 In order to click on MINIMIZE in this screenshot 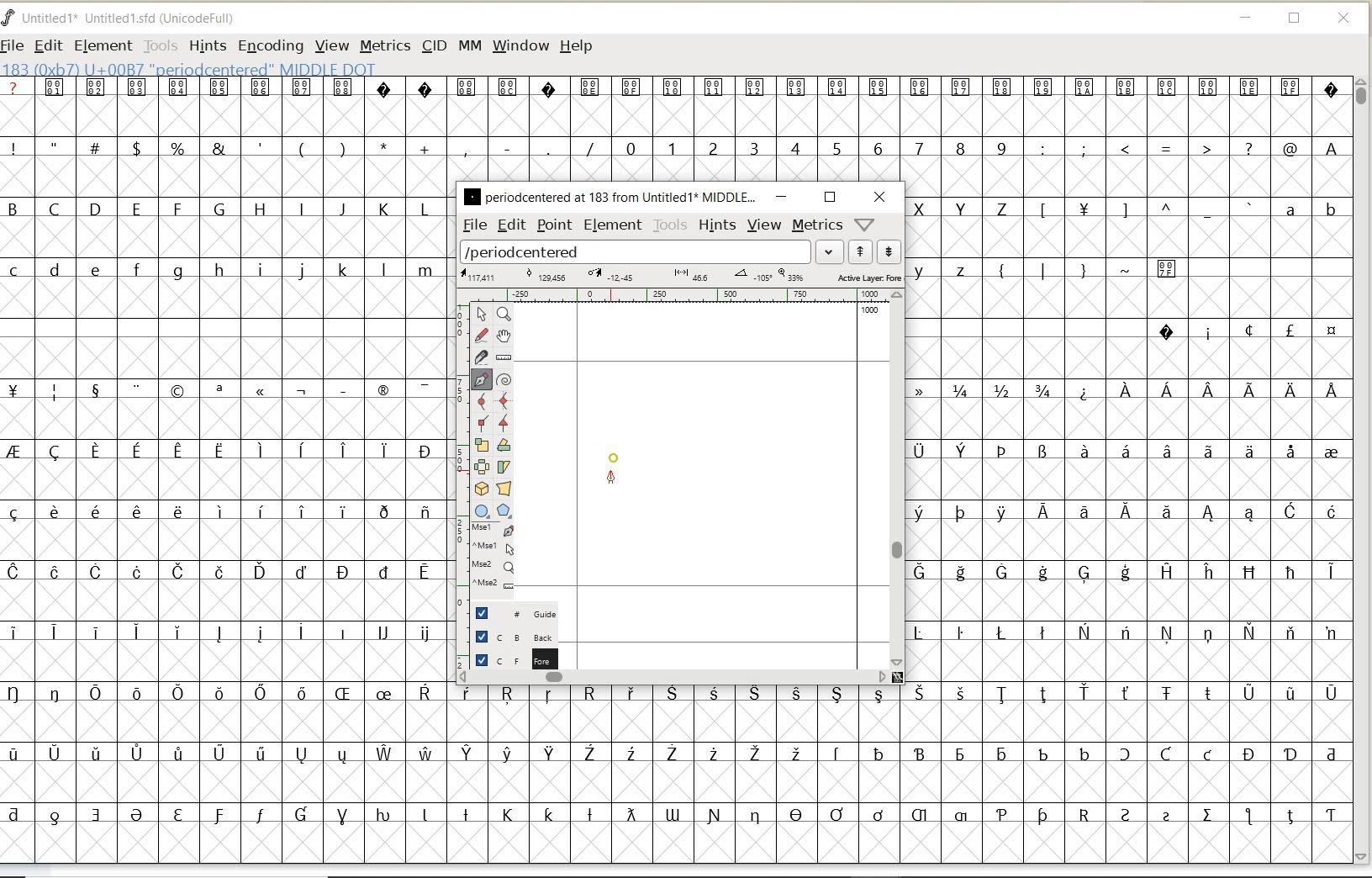, I will do `click(1247, 20)`.